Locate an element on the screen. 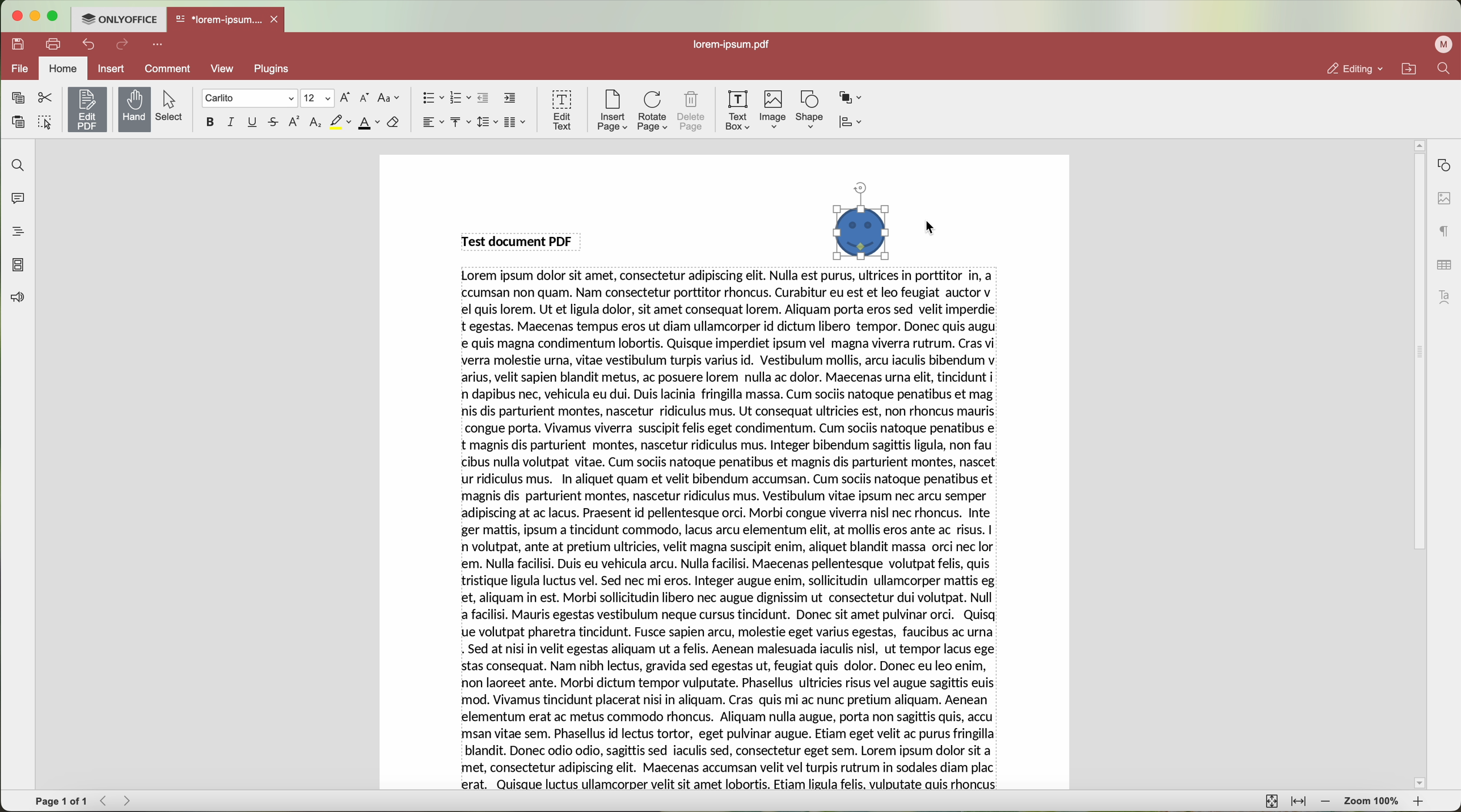  redo is located at coordinates (124, 46).